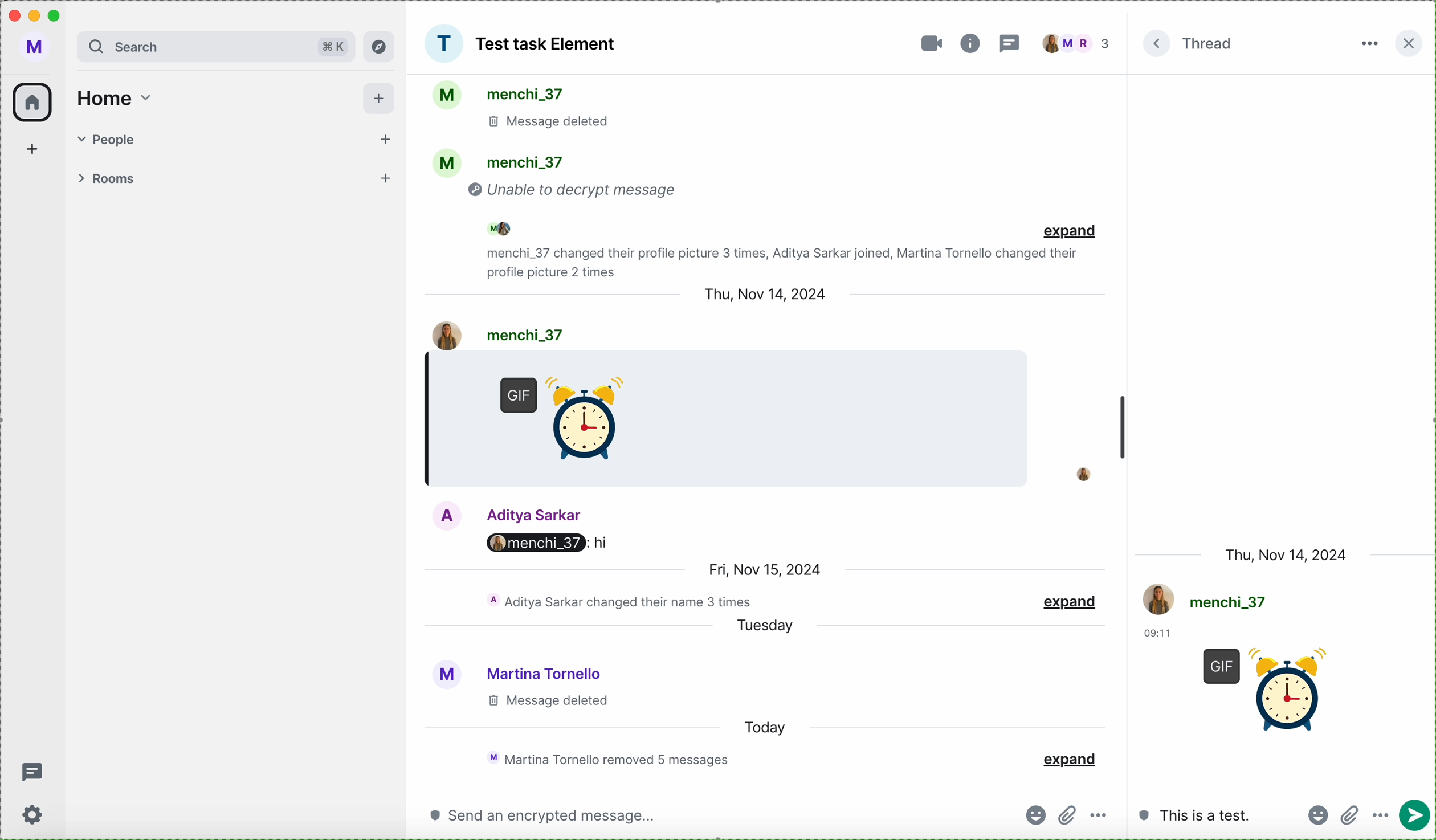 This screenshot has height=840, width=1436. Describe the element at coordinates (443, 43) in the screenshot. I see `picture group` at that location.